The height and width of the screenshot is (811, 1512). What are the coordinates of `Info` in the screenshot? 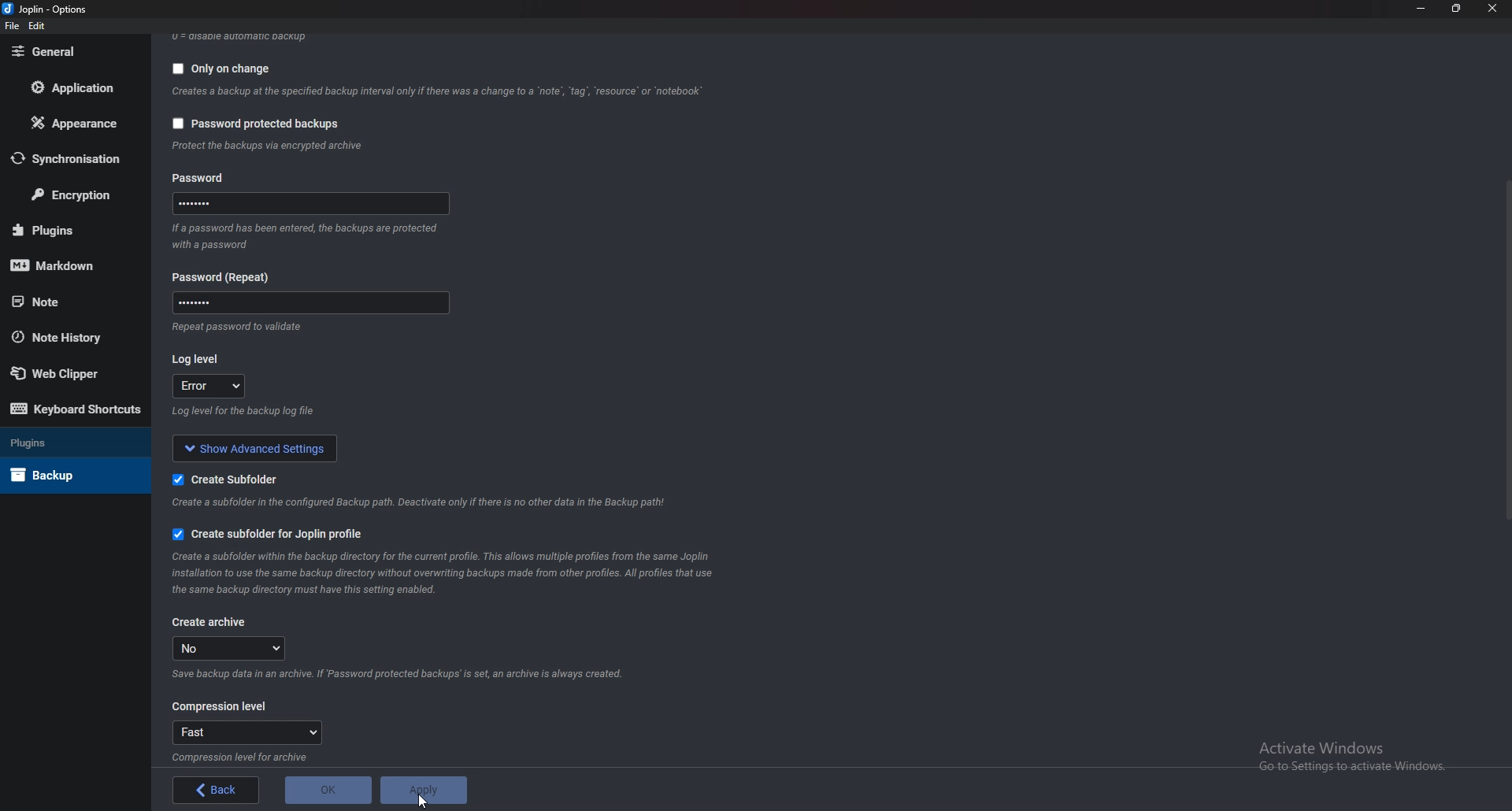 It's located at (246, 757).